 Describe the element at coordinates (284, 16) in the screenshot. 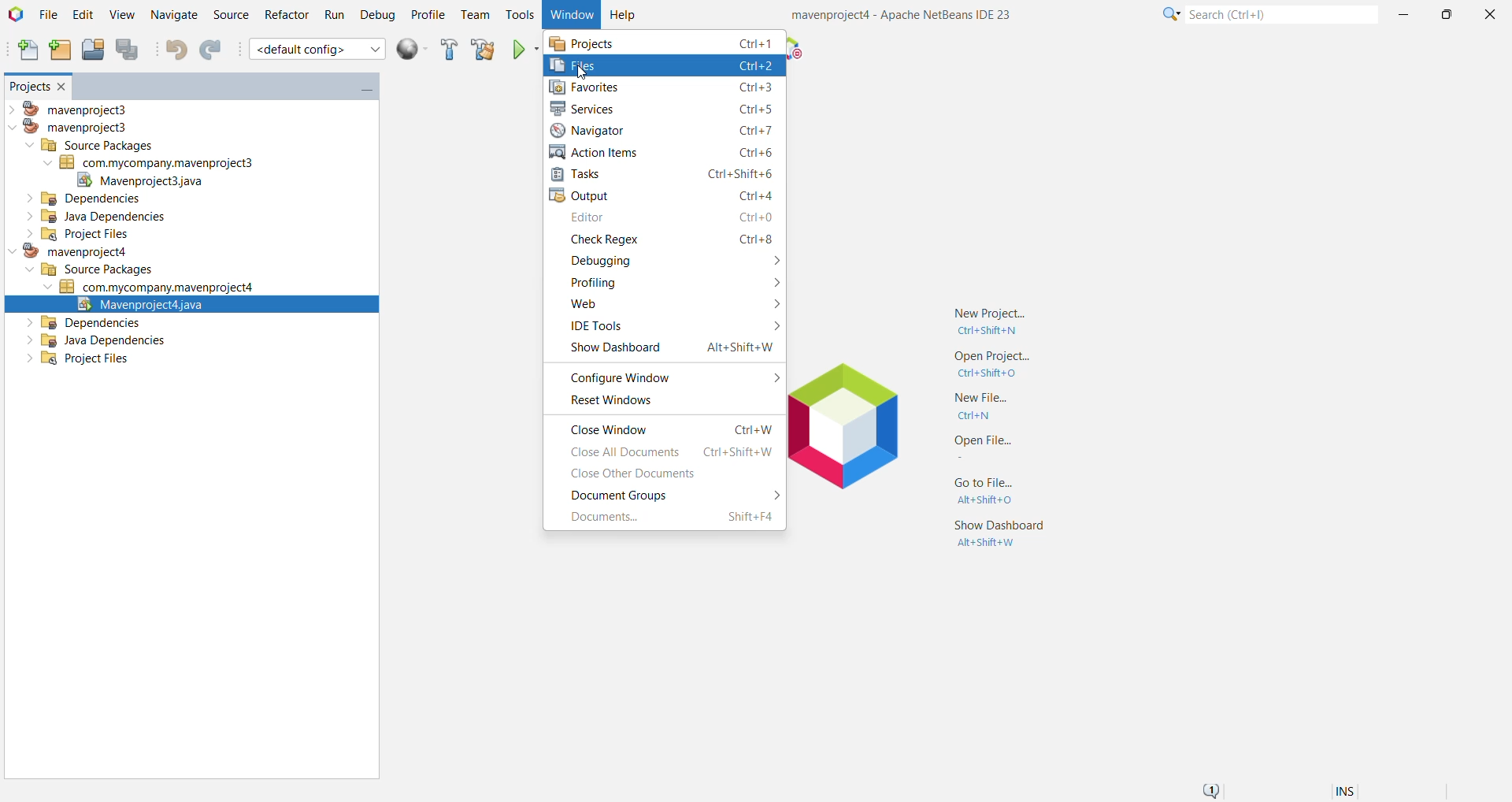

I see `Refactor` at that location.